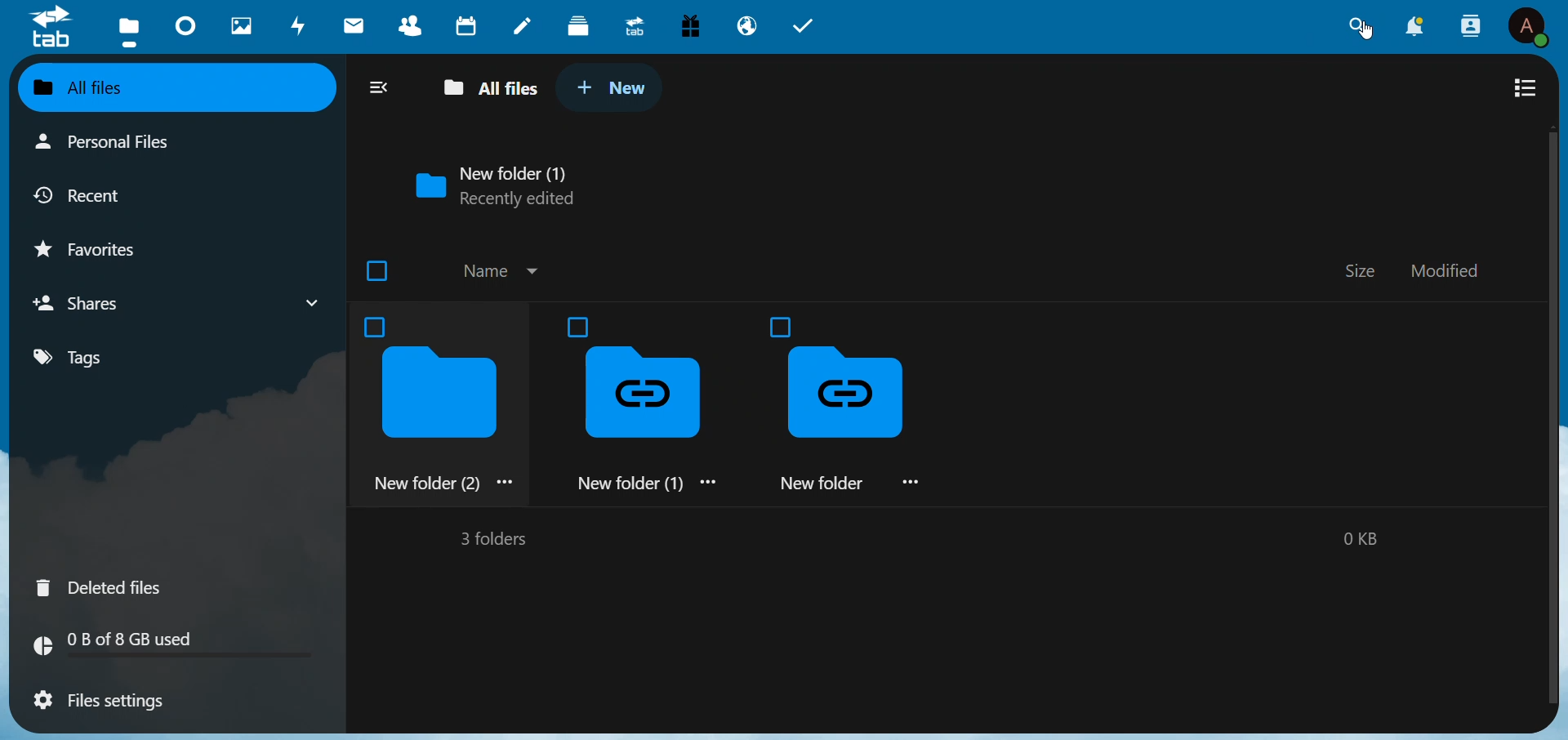 Image resolution: width=1568 pixels, height=740 pixels. Describe the element at coordinates (109, 586) in the screenshot. I see `deleted files` at that location.